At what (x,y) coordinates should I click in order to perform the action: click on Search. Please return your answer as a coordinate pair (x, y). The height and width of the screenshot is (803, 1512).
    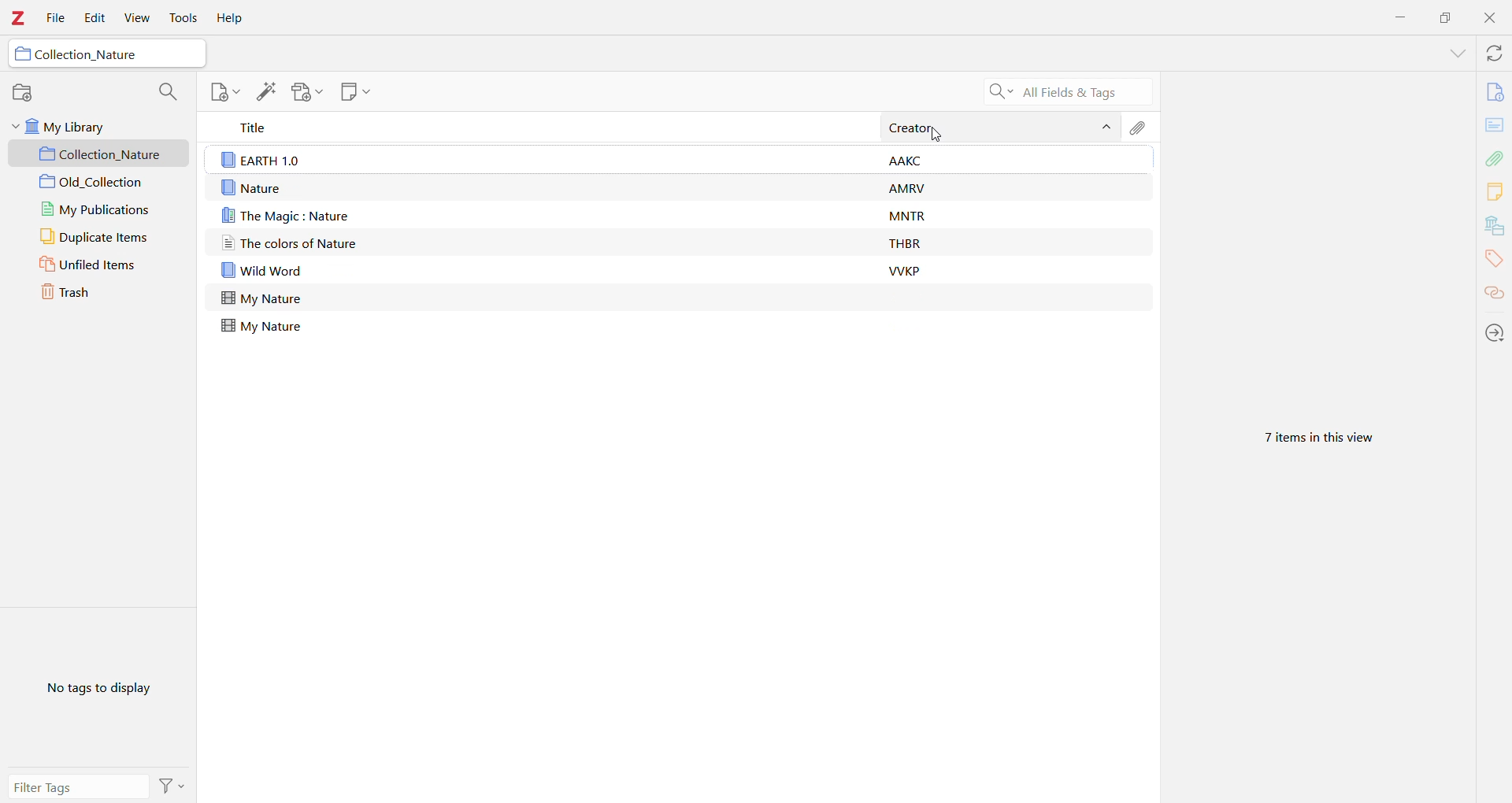
    Looking at the image, I should click on (1062, 91).